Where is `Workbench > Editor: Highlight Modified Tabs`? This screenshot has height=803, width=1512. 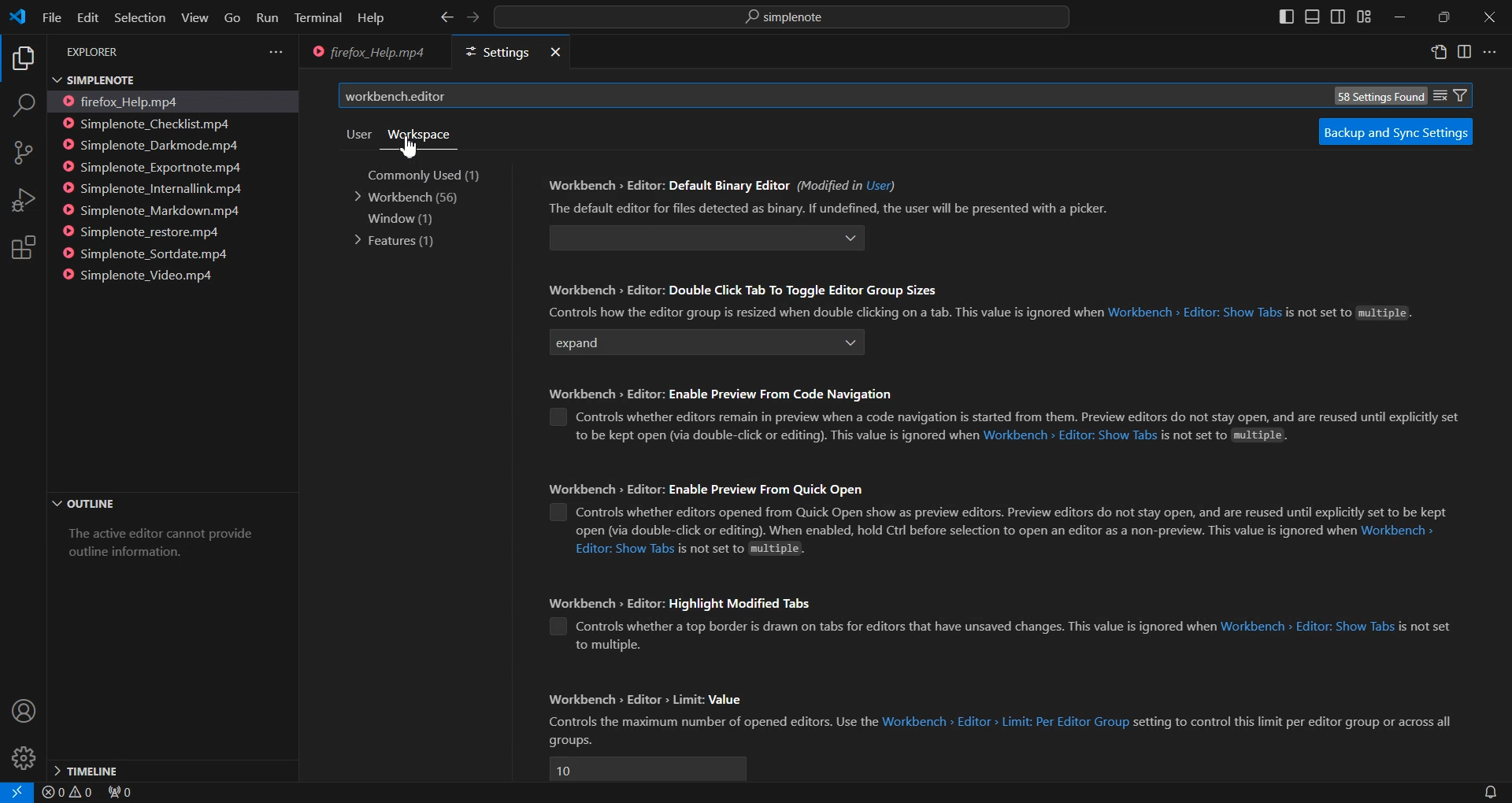
Workbench > Editor: Highlight Modified Tabs is located at coordinates (691, 601).